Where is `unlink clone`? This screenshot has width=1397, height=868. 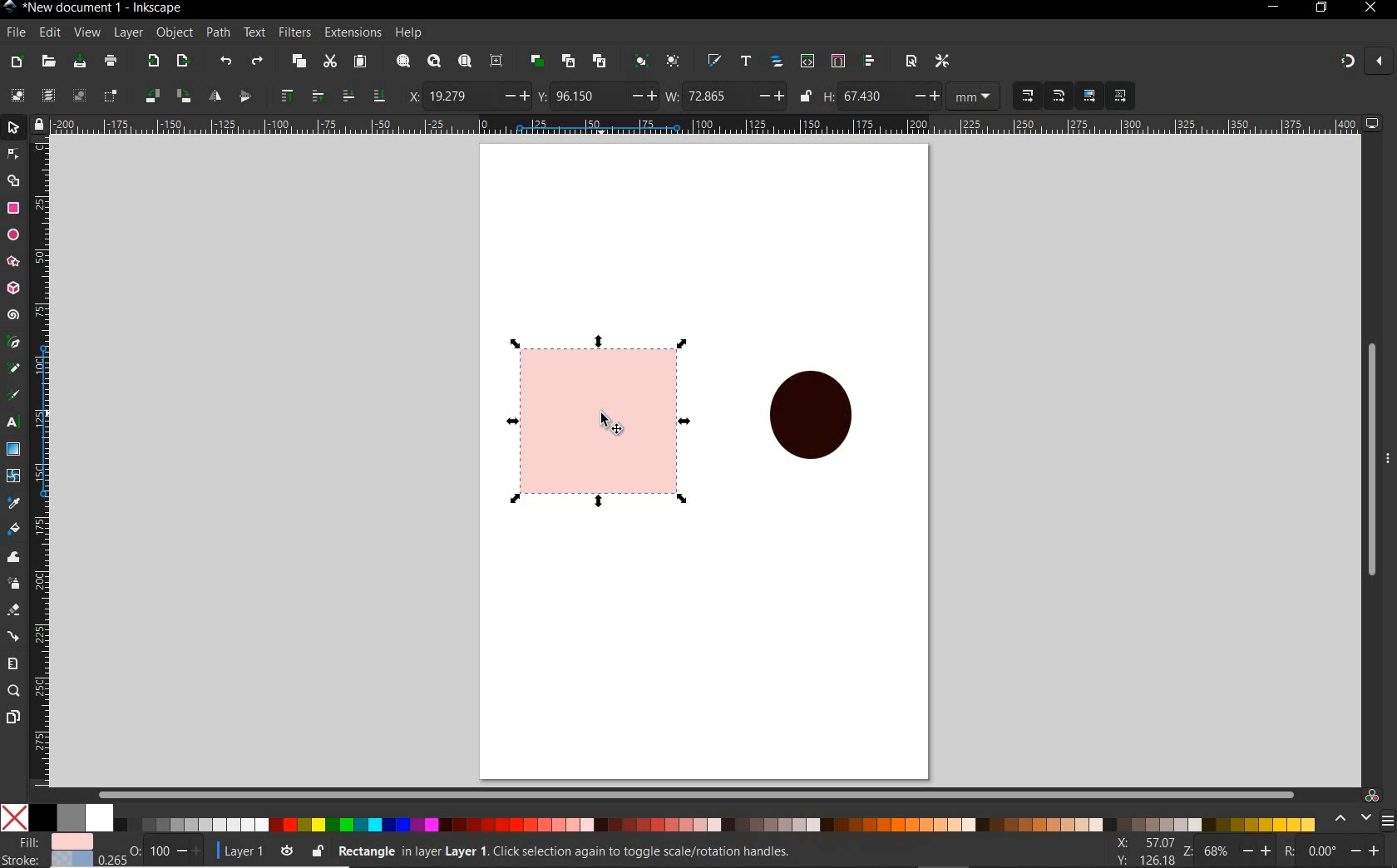 unlink clone is located at coordinates (602, 60).